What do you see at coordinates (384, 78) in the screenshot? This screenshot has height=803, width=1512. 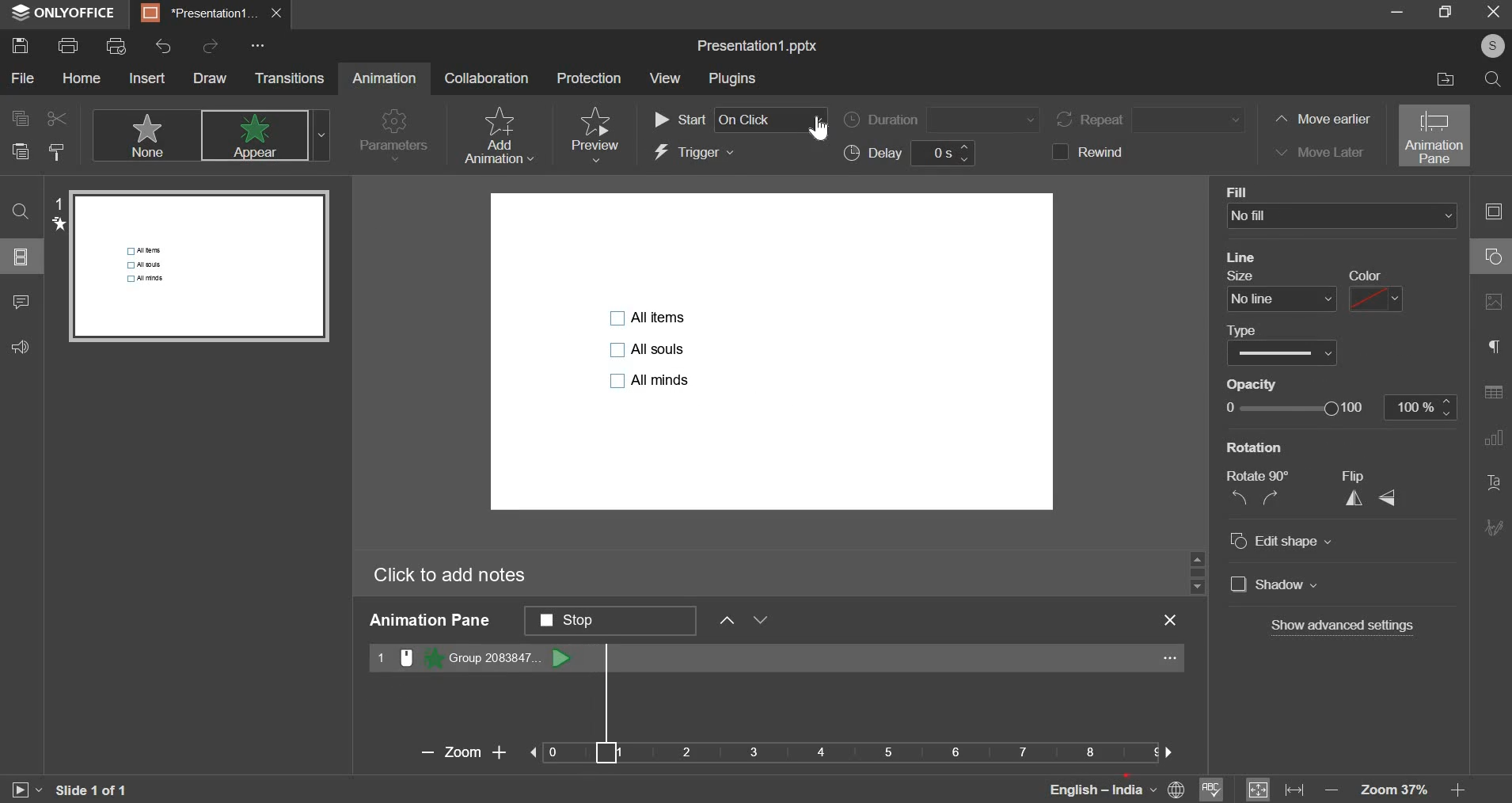 I see `animation` at bounding box center [384, 78].